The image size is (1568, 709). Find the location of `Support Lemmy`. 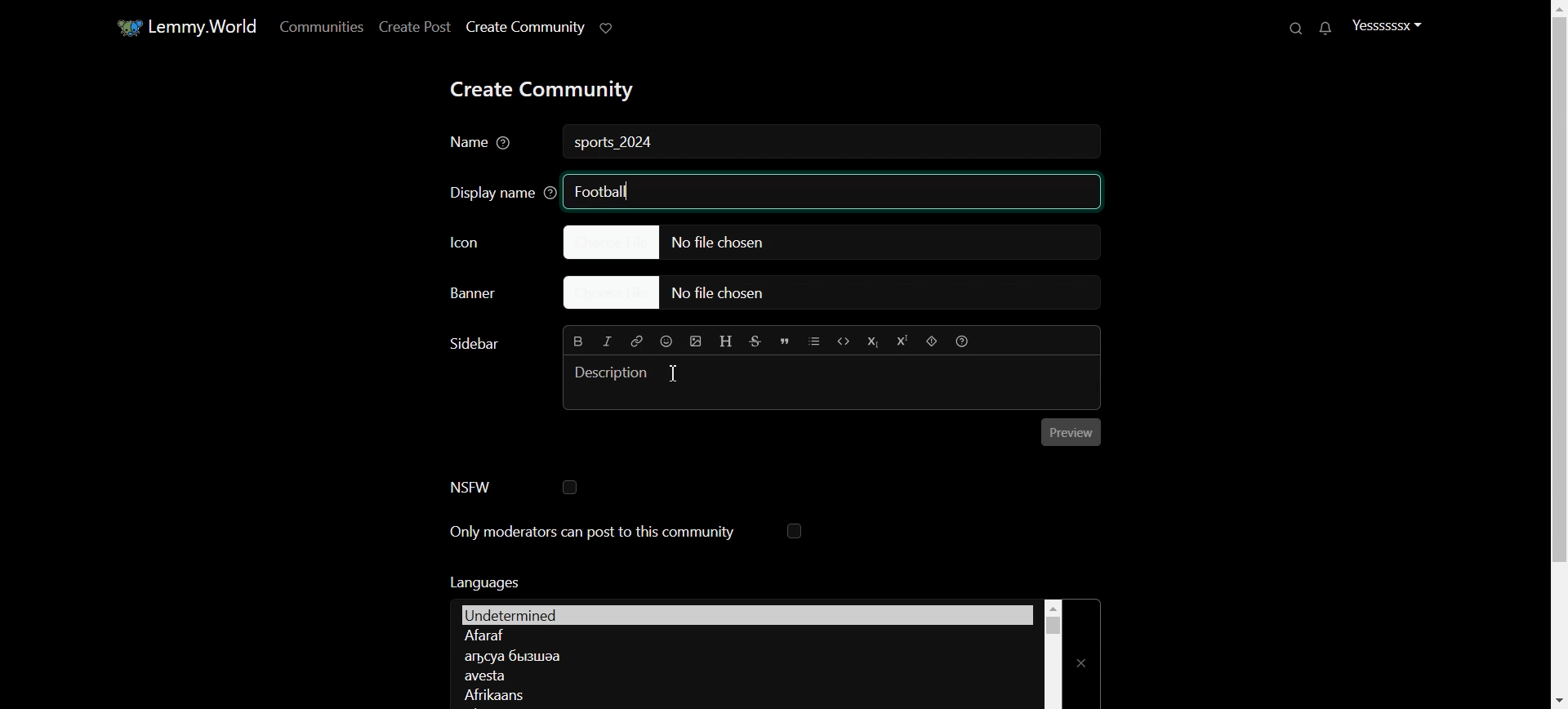

Support Lemmy is located at coordinates (608, 27).